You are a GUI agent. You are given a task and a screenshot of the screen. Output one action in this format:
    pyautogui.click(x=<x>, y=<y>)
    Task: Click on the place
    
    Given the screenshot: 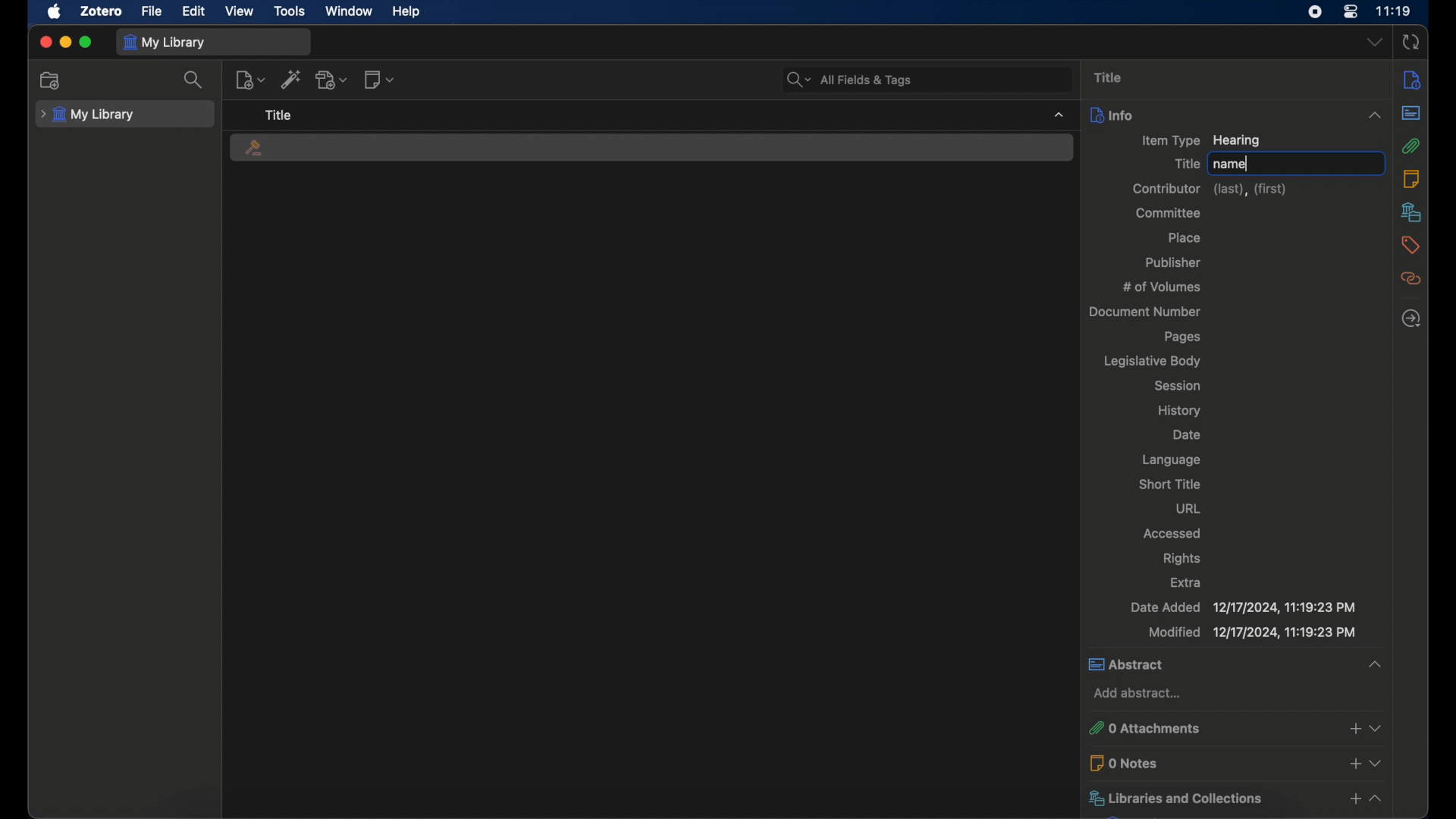 What is the action you would take?
    pyautogui.click(x=1184, y=237)
    